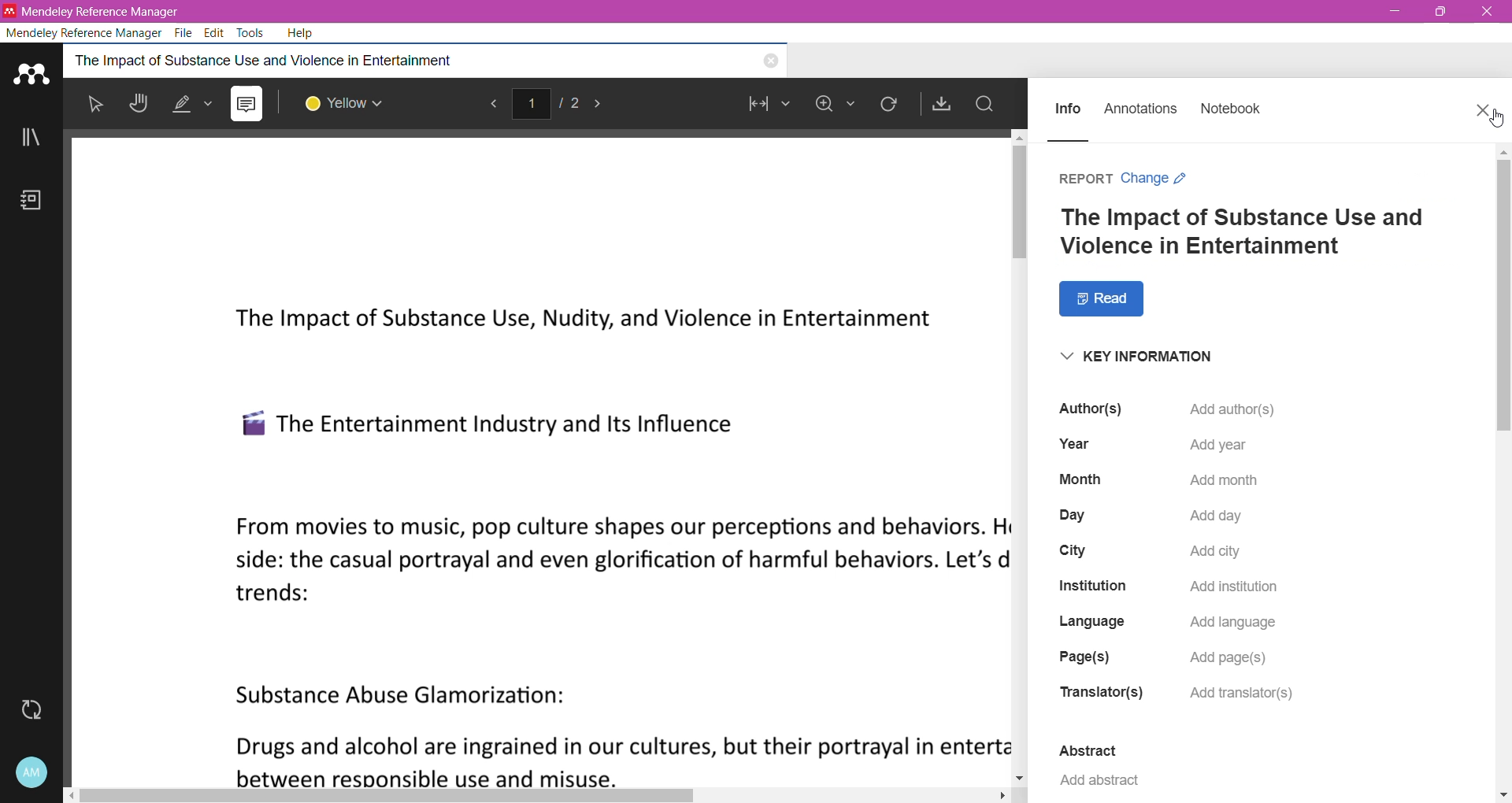  What do you see at coordinates (1071, 515) in the screenshot?
I see `Day` at bounding box center [1071, 515].